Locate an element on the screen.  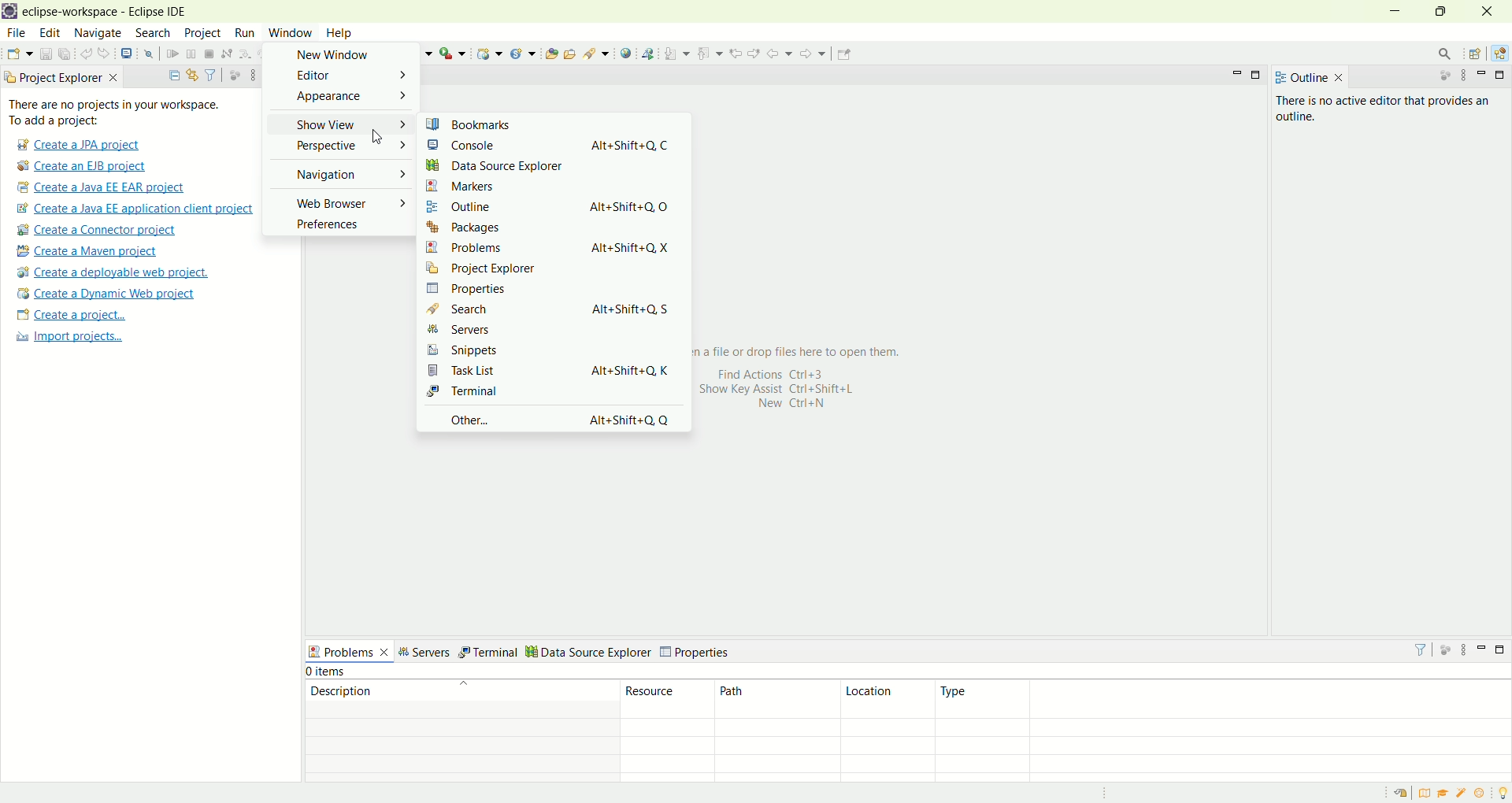
previous edit location is located at coordinates (736, 52).